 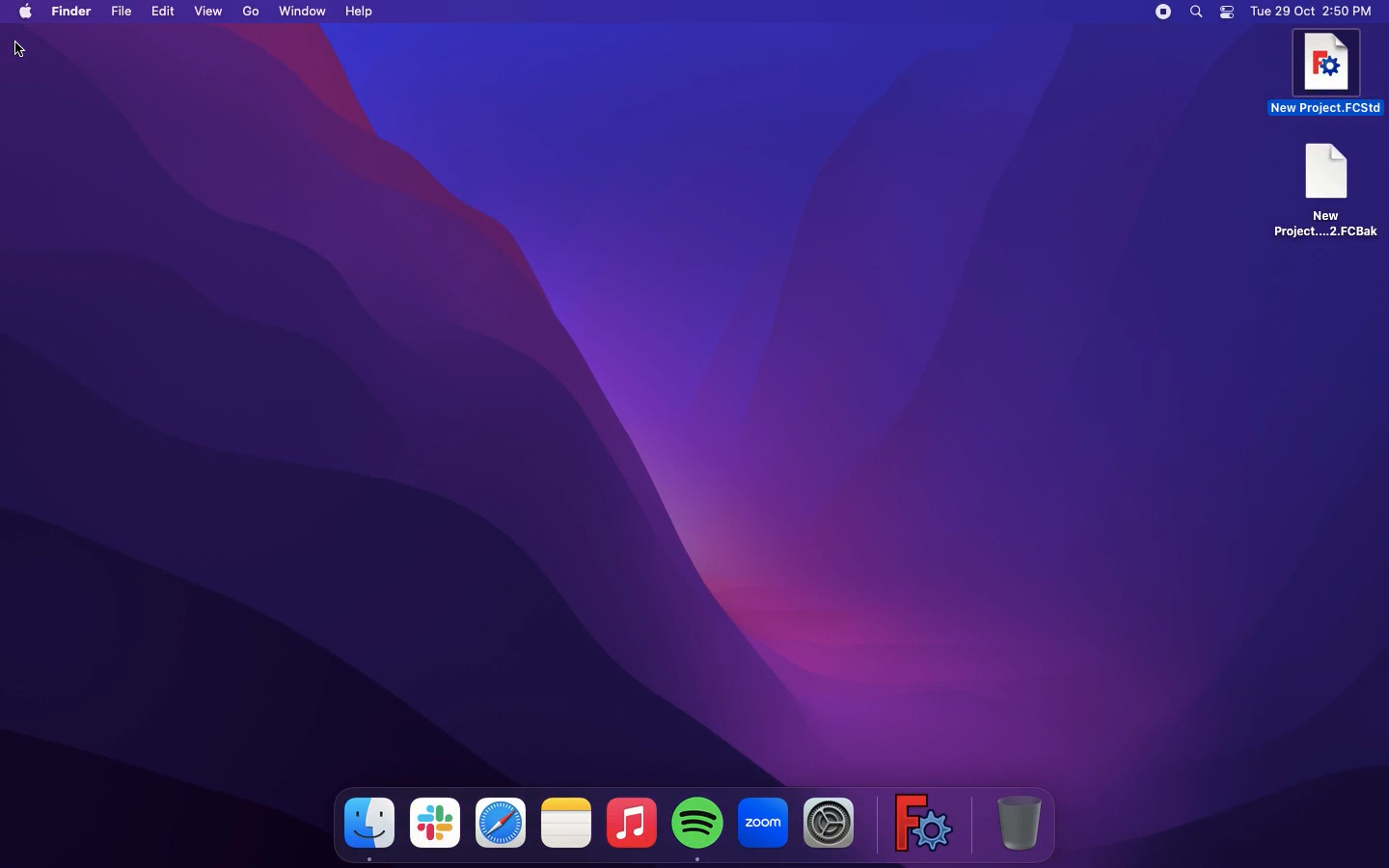 What do you see at coordinates (24, 50) in the screenshot?
I see `cursor` at bounding box center [24, 50].